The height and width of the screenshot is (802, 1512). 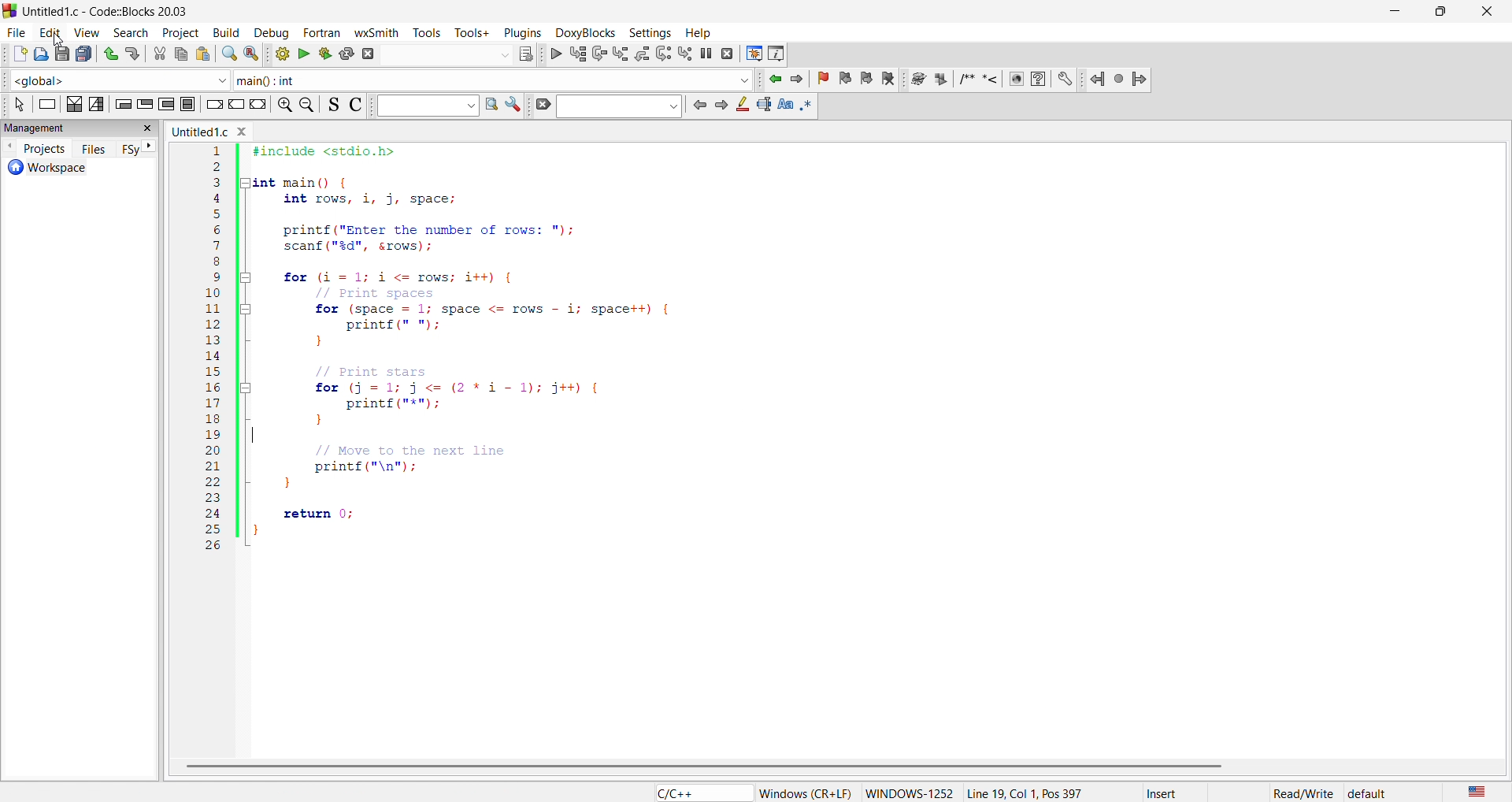 I want to click on jump forward, so click(x=1141, y=79).